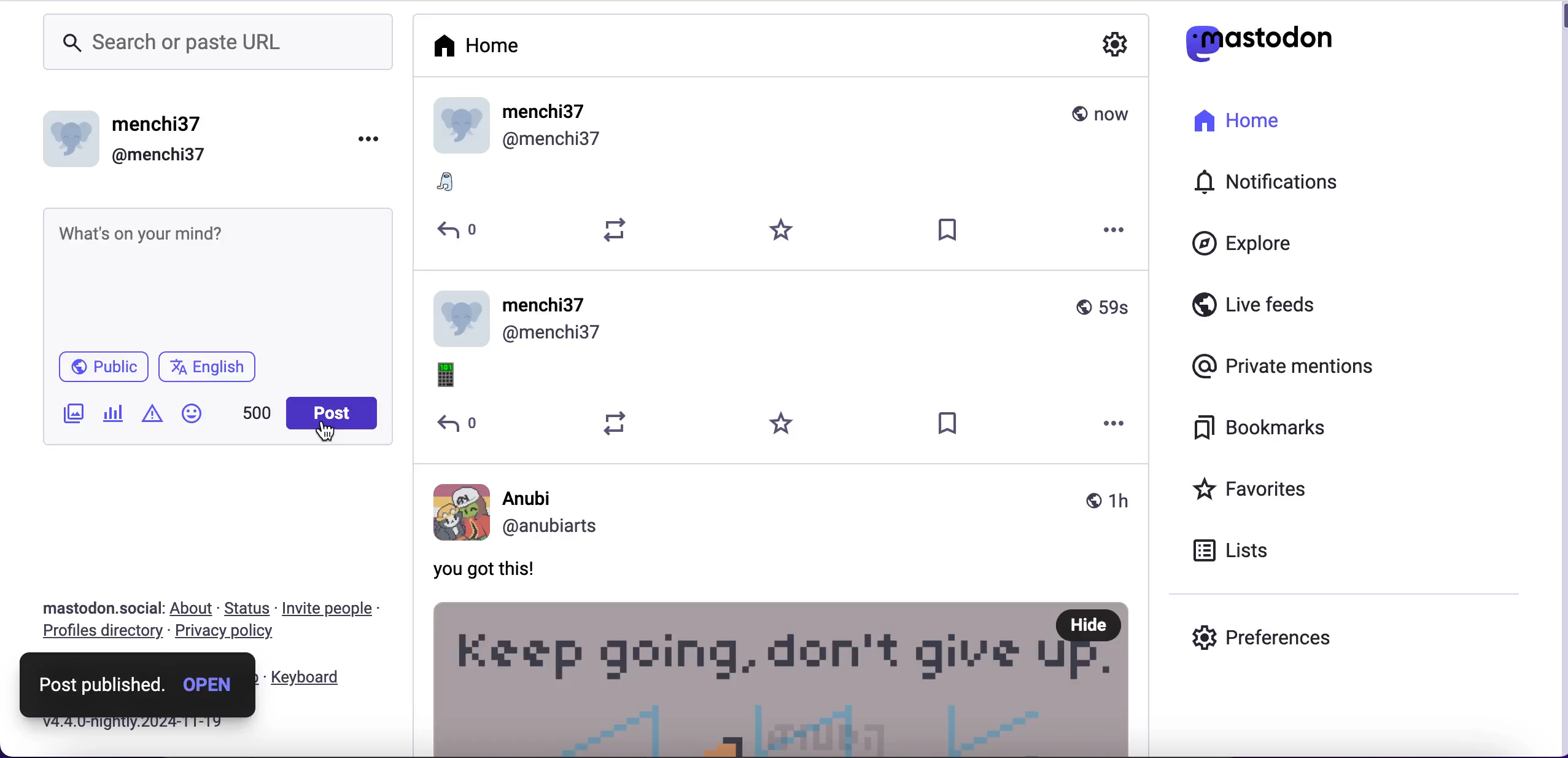 The height and width of the screenshot is (758, 1568). I want to click on search or paste url, so click(217, 44).